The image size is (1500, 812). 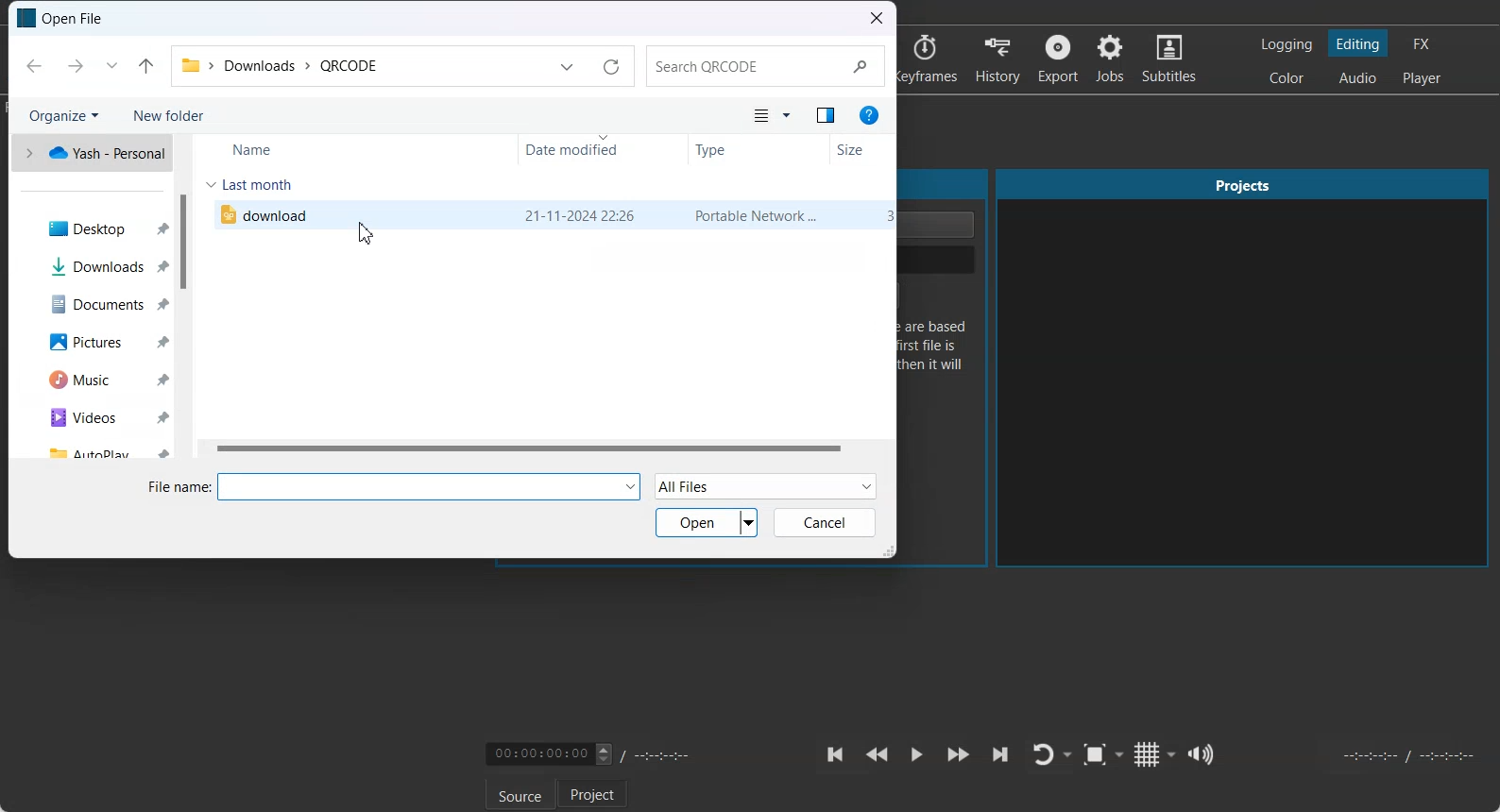 I want to click on Desktop, so click(x=91, y=227).